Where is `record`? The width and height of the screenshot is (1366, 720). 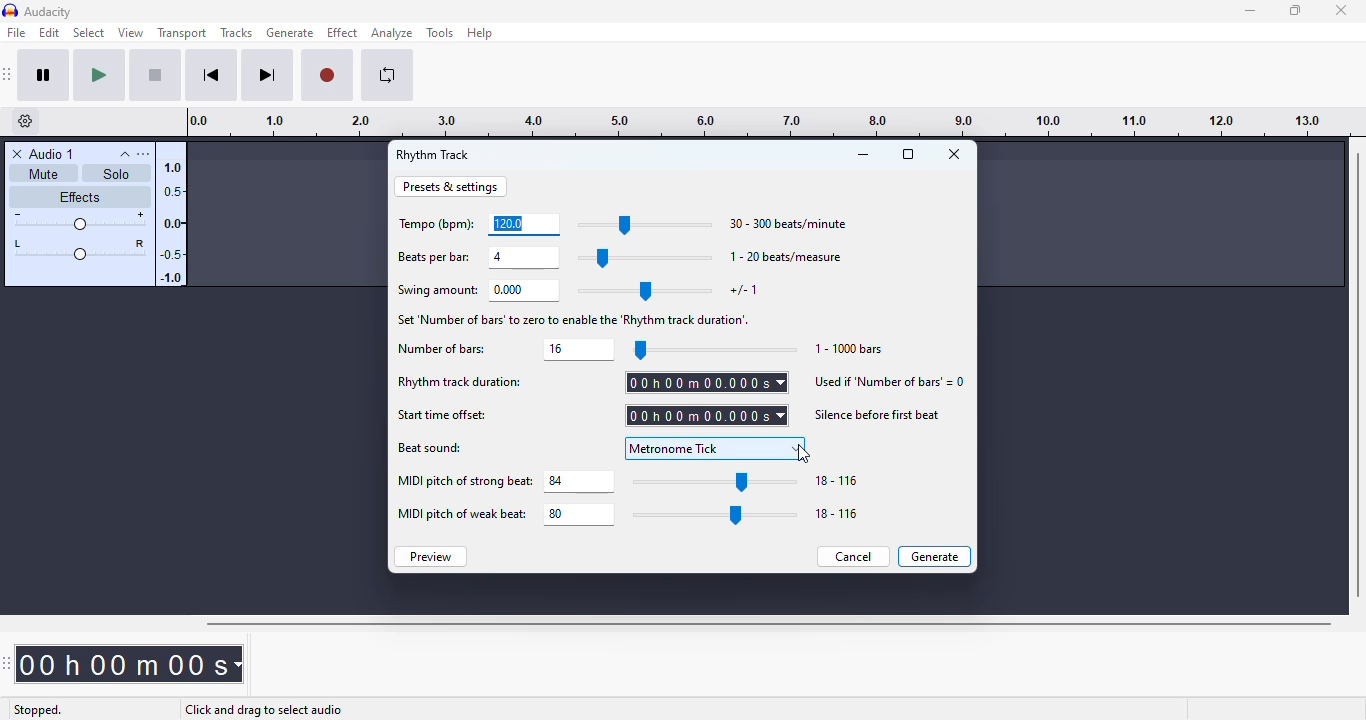
record is located at coordinates (328, 75).